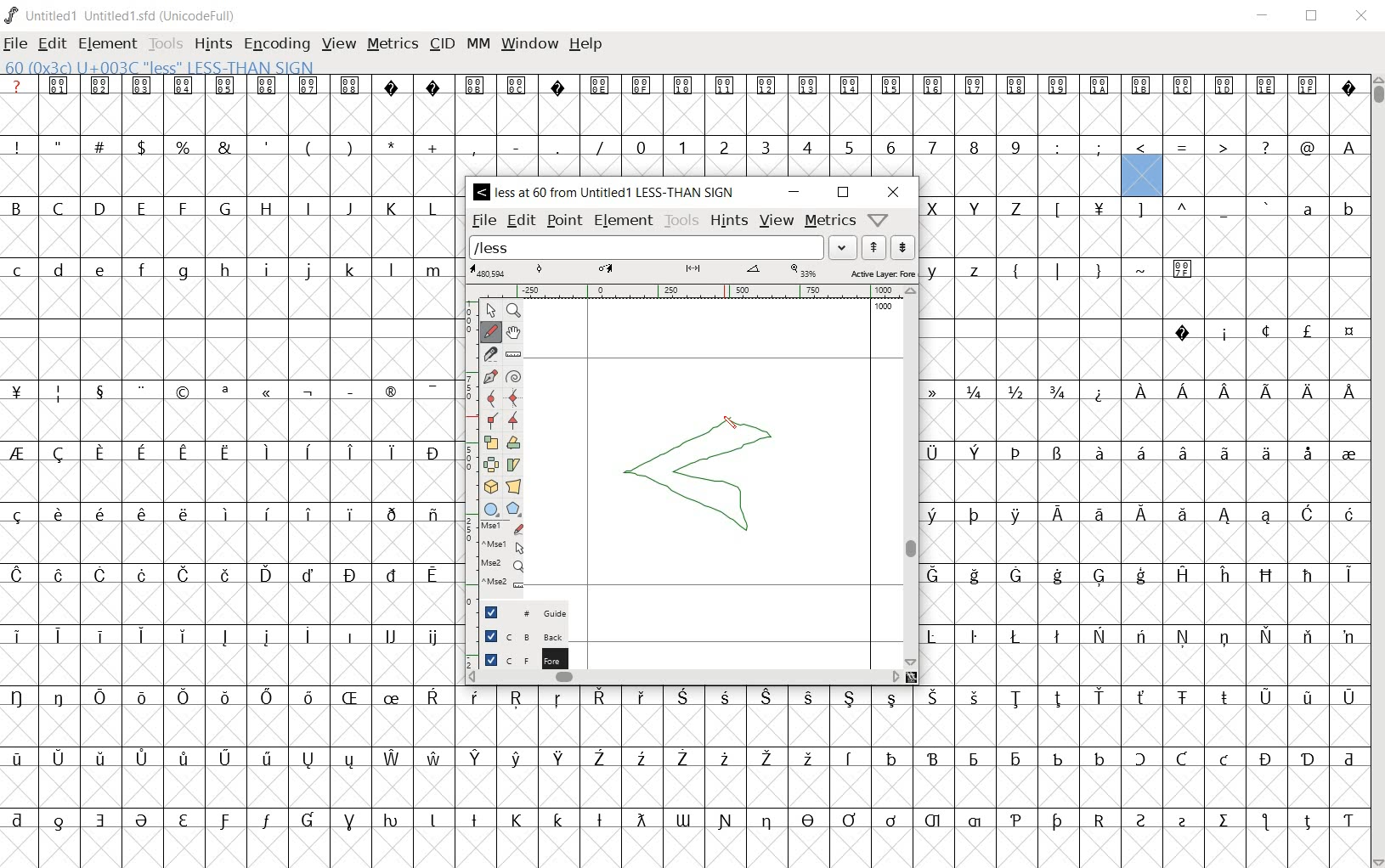  What do you see at coordinates (54, 43) in the screenshot?
I see `edit` at bounding box center [54, 43].